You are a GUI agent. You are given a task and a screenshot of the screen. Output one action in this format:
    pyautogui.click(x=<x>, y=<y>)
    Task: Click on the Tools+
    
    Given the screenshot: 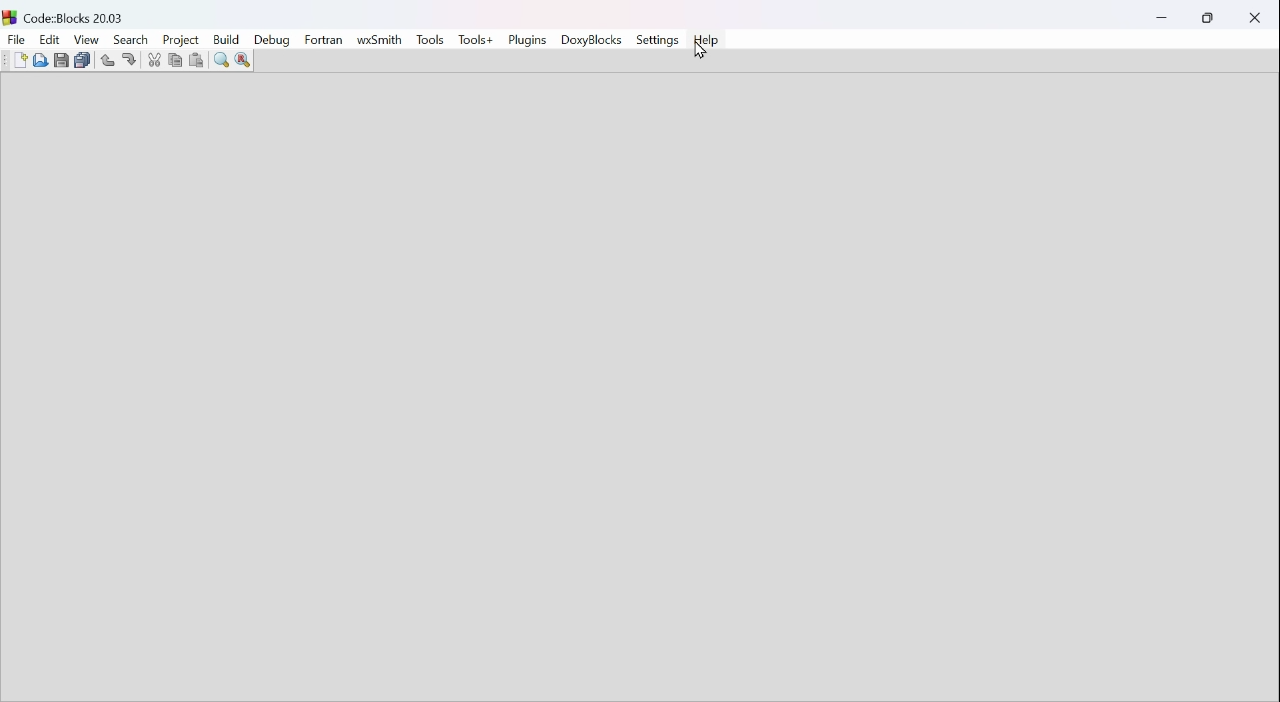 What is the action you would take?
    pyautogui.click(x=474, y=40)
    